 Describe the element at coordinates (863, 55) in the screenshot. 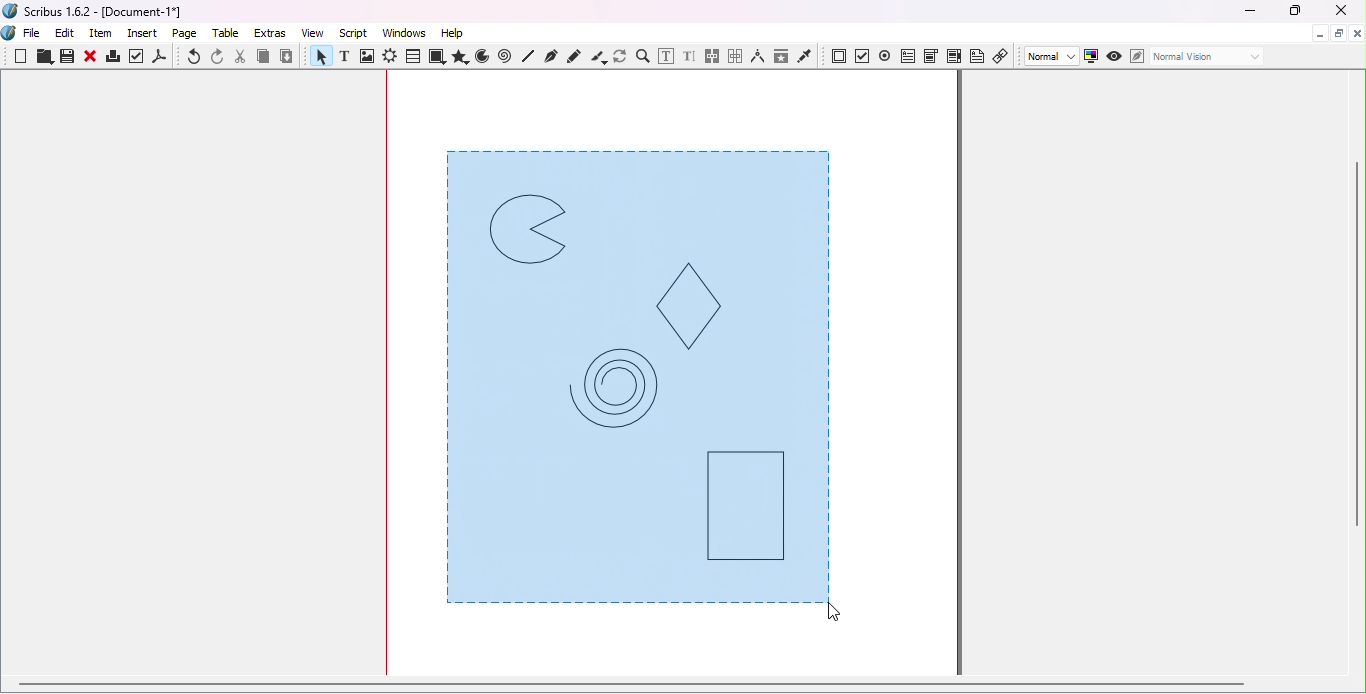

I see `PDF check button` at that location.